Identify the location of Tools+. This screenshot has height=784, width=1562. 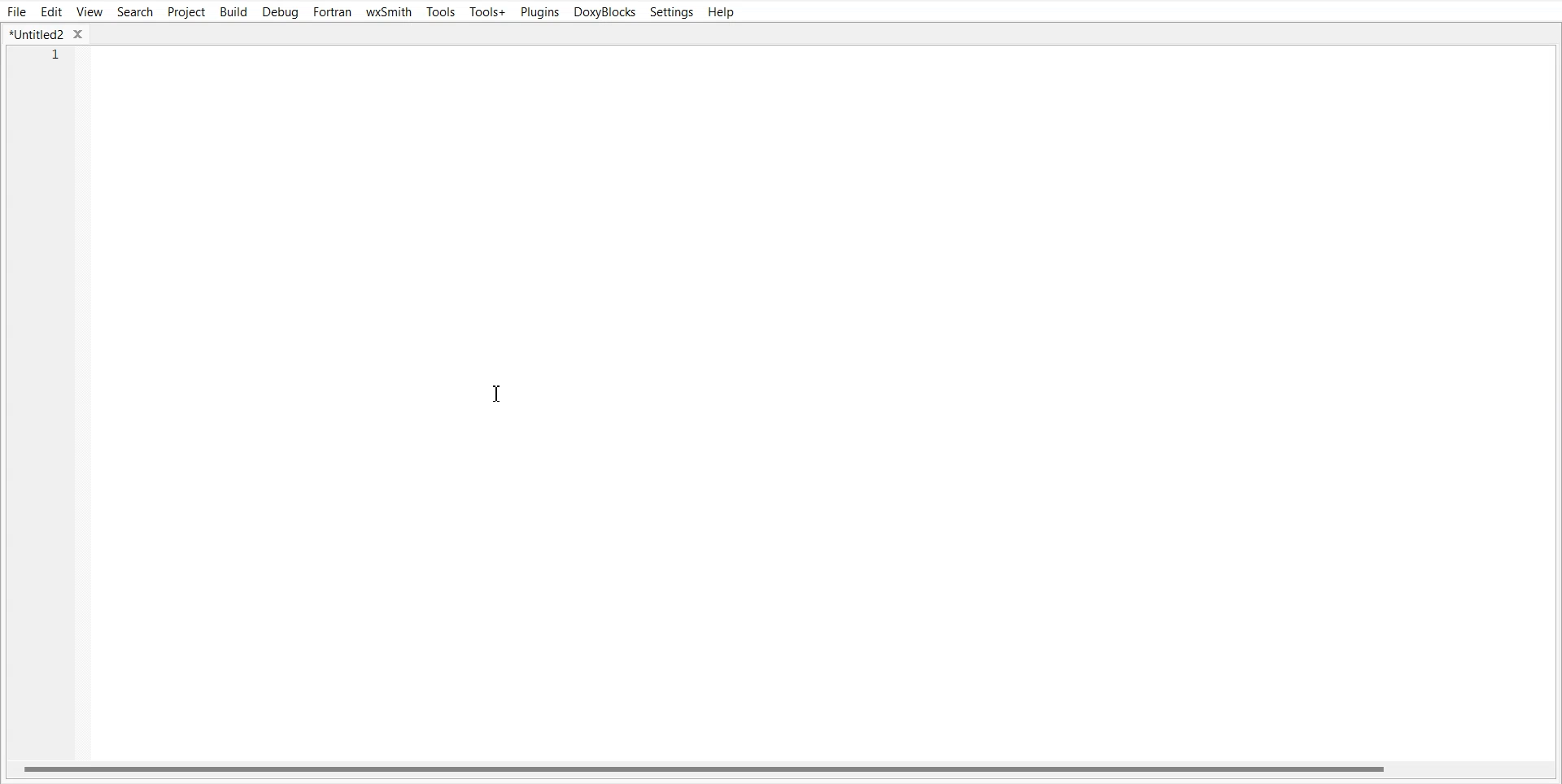
(487, 12).